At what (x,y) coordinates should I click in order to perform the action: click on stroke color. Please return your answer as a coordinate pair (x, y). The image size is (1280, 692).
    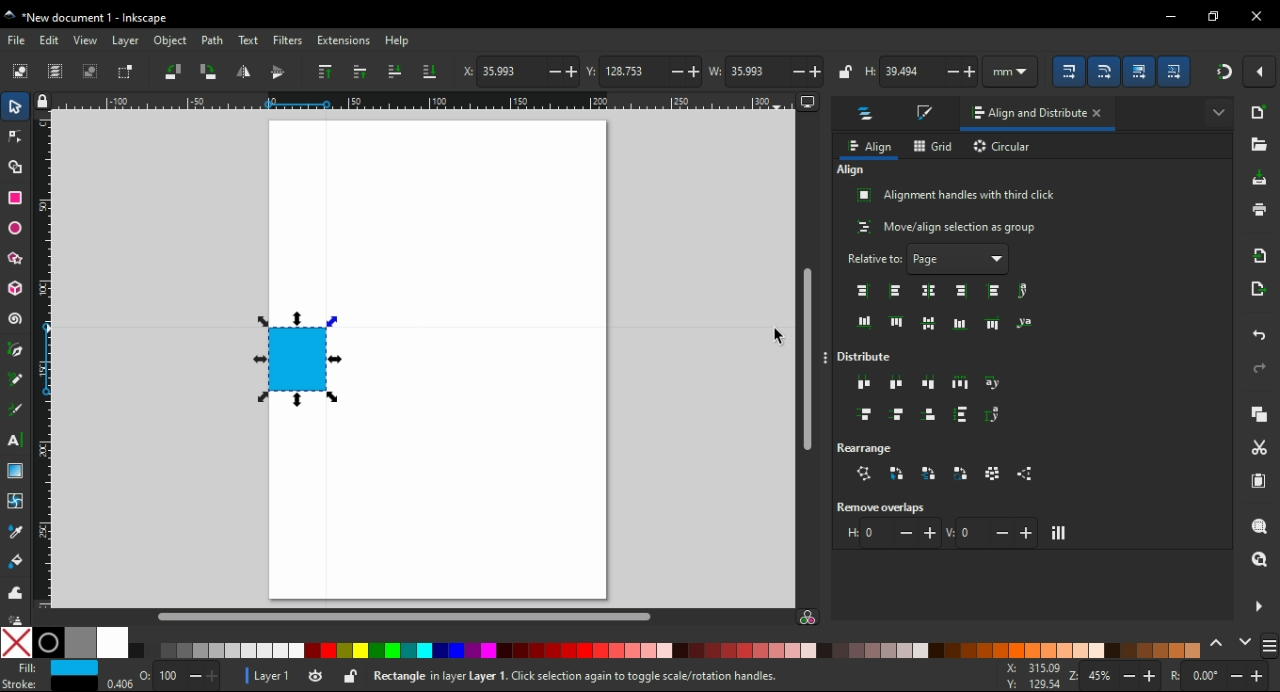
    Looking at the image, I should click on (46, 684).